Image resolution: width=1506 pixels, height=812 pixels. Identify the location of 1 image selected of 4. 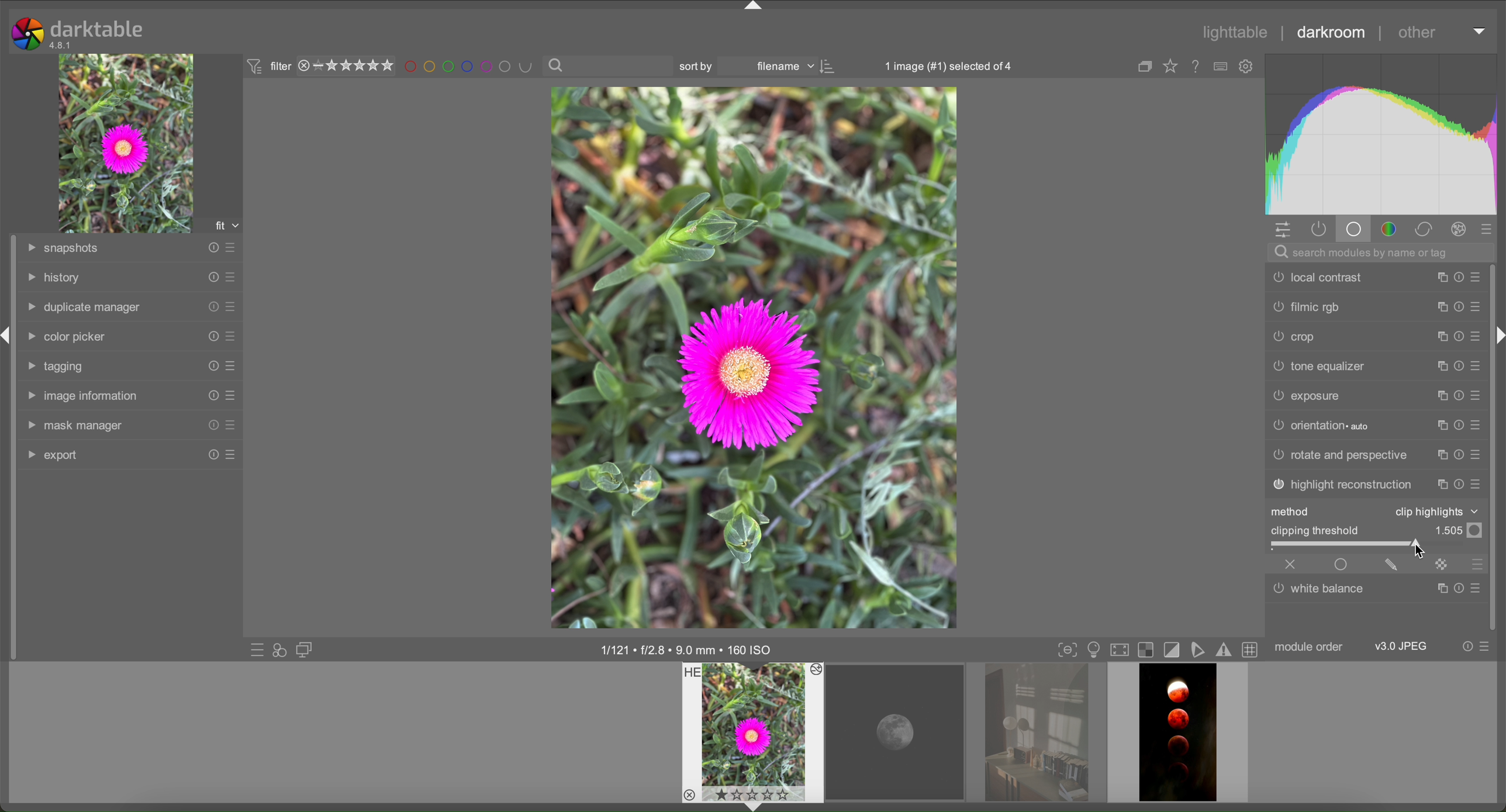
(942, 65).